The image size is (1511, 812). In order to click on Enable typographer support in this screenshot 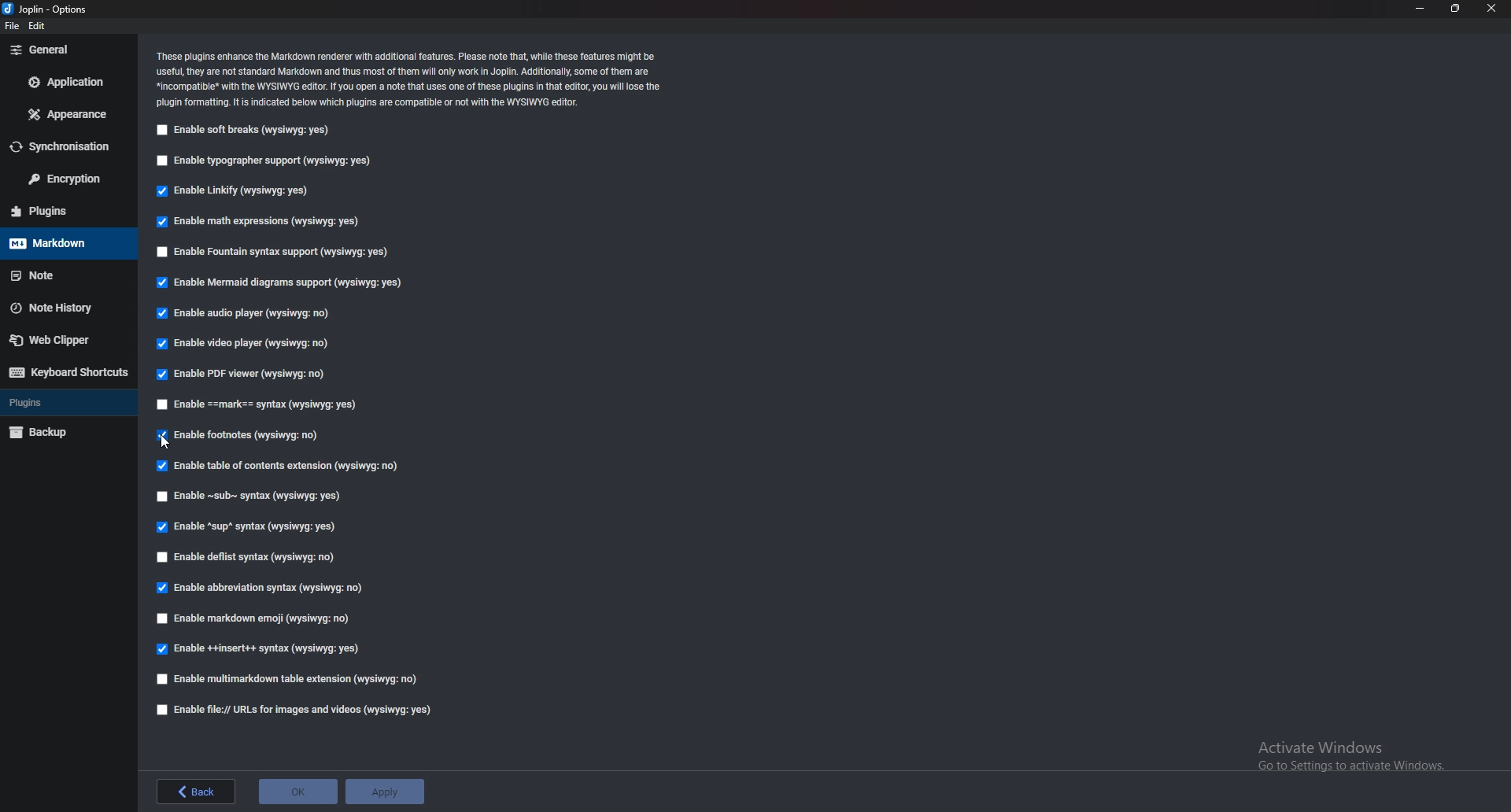, I will do `click(272, 161)`.